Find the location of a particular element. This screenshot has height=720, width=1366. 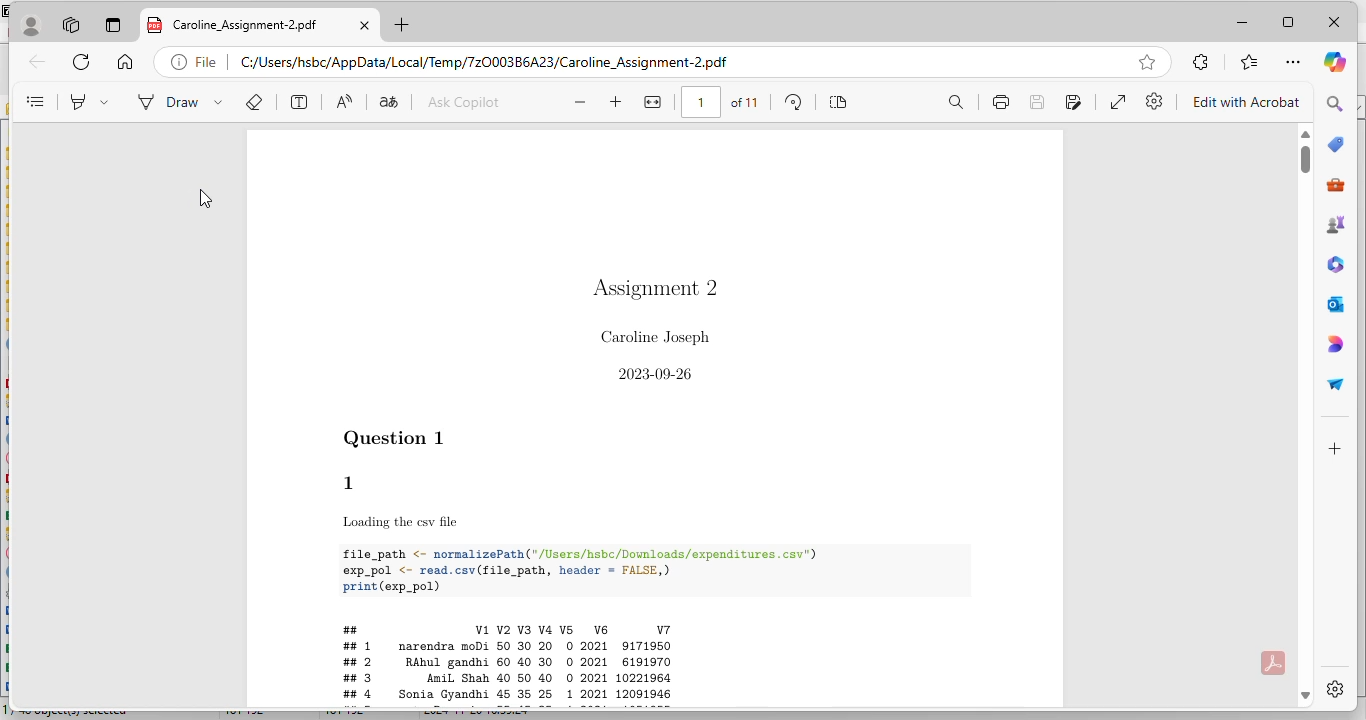

powered by adobe acrobat is located at coordinates (1273, 663).